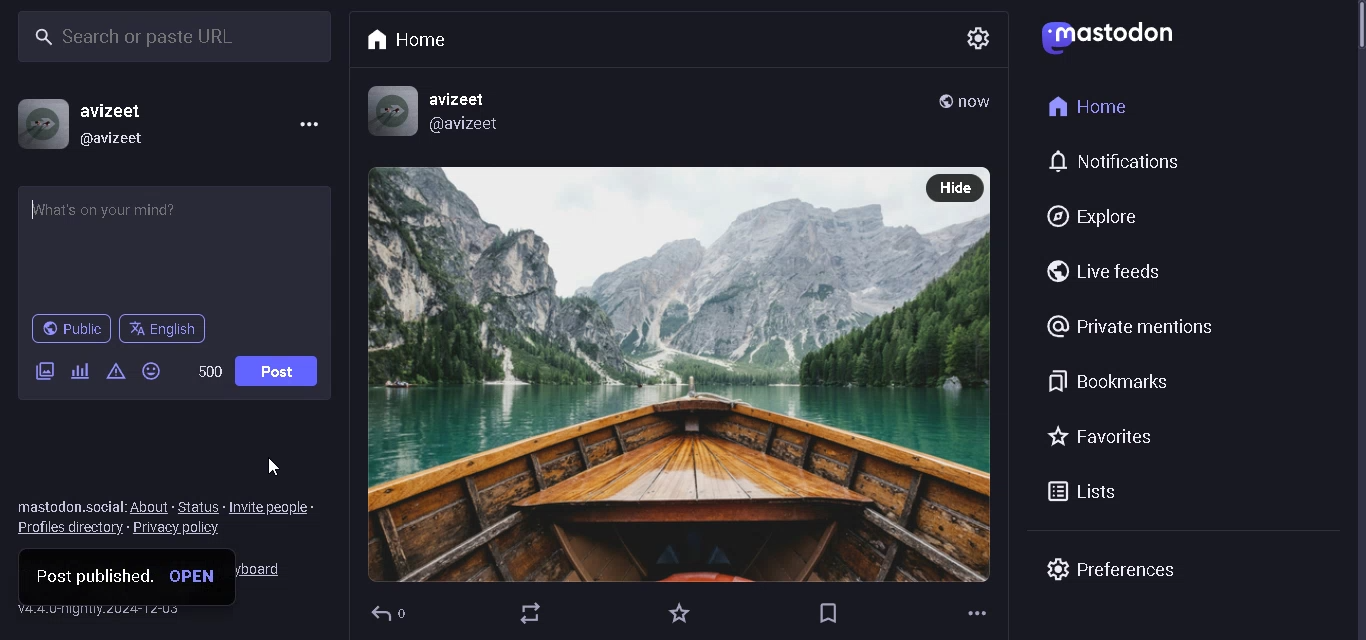  What do you see at coordinates (78, 370) in the screenshot?
I see `add poll` at bounding box center [78, 370].